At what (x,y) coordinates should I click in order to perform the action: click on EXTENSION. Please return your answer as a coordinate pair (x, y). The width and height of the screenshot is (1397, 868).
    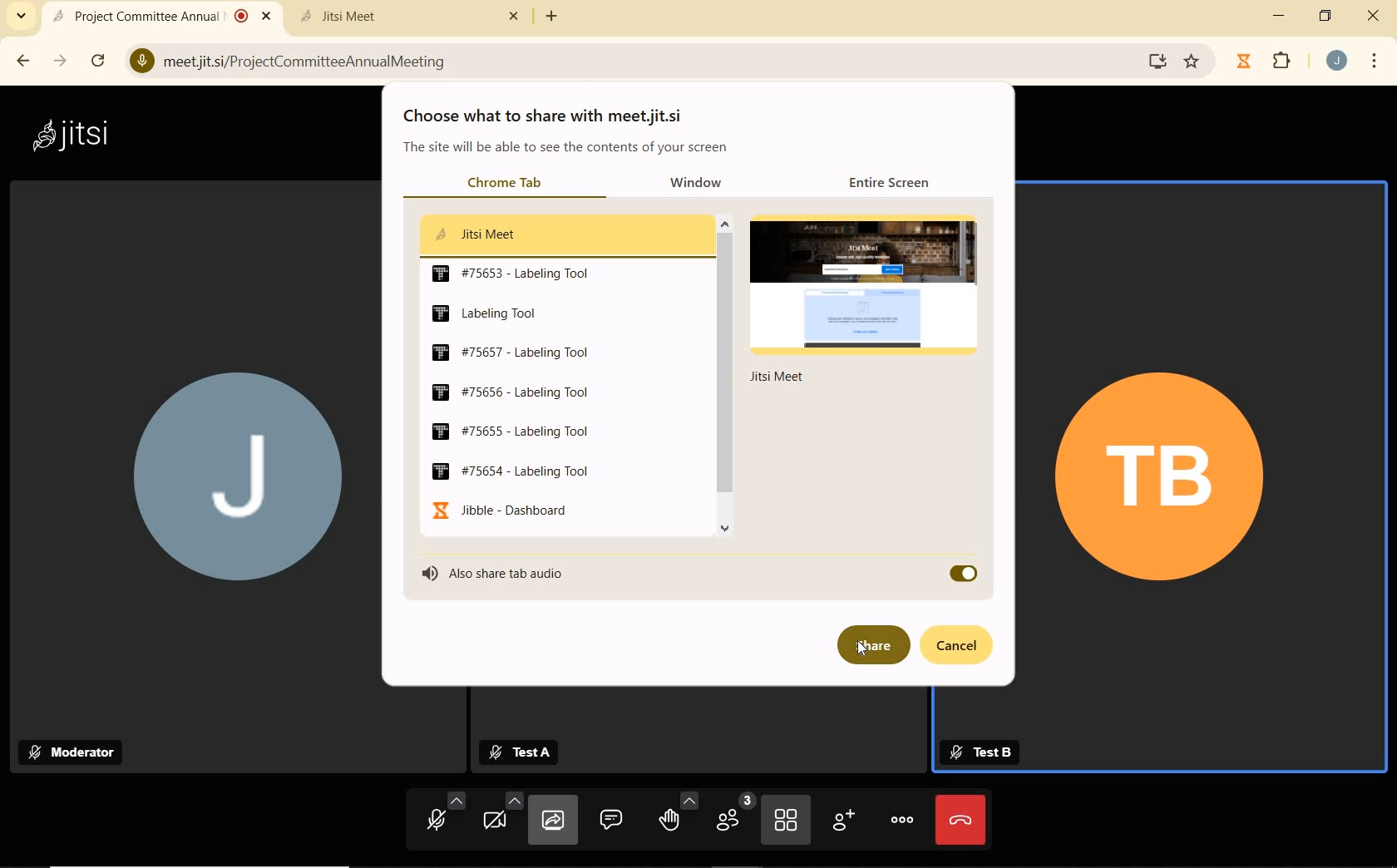
    Looking at the image, I should click on (1267, 62).